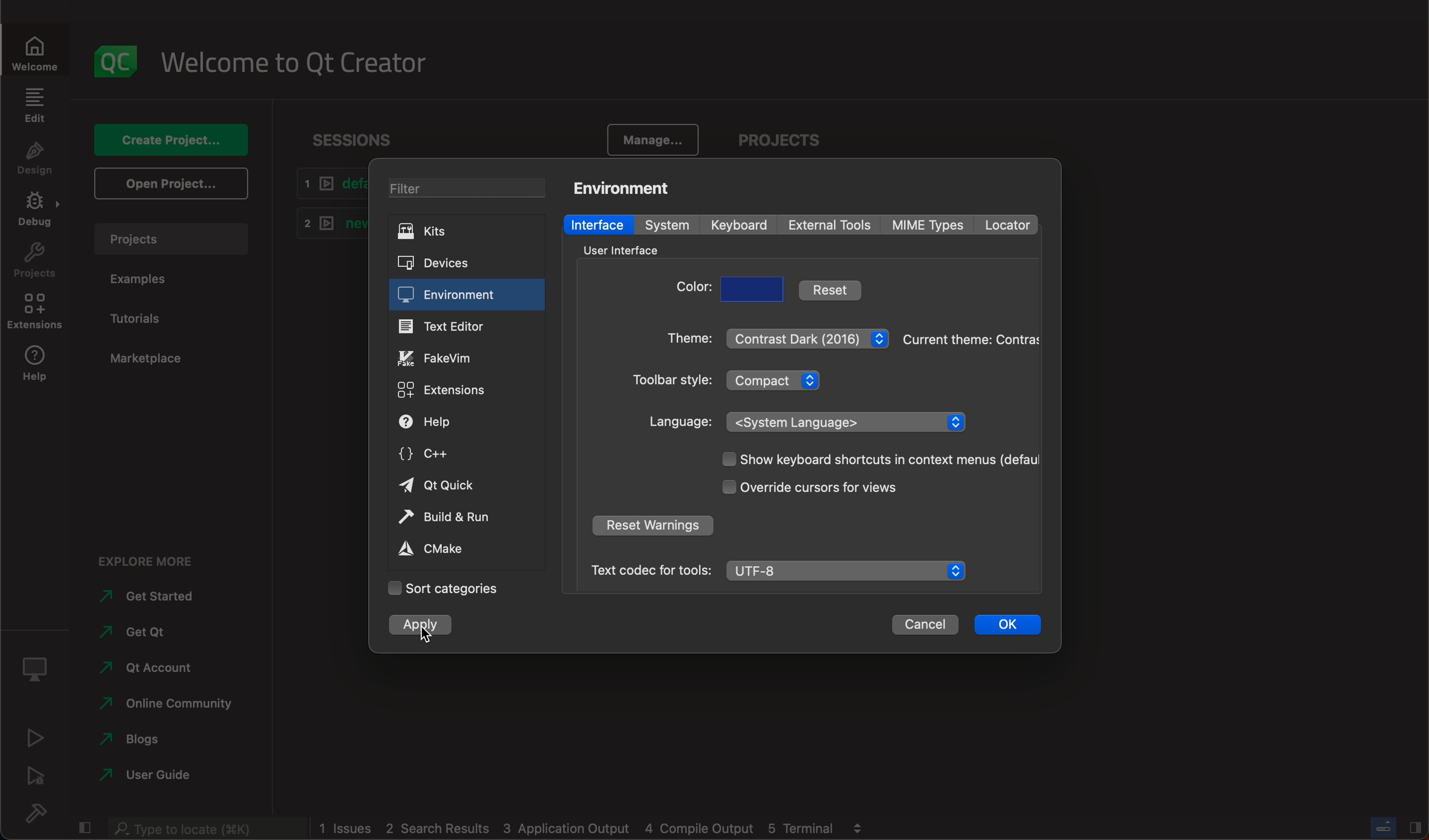 This screenshot has height=840, width=1429. What do you see at coordinates (672, 226) in the screenshot?
I see `system` at bounding box center [672, 226].